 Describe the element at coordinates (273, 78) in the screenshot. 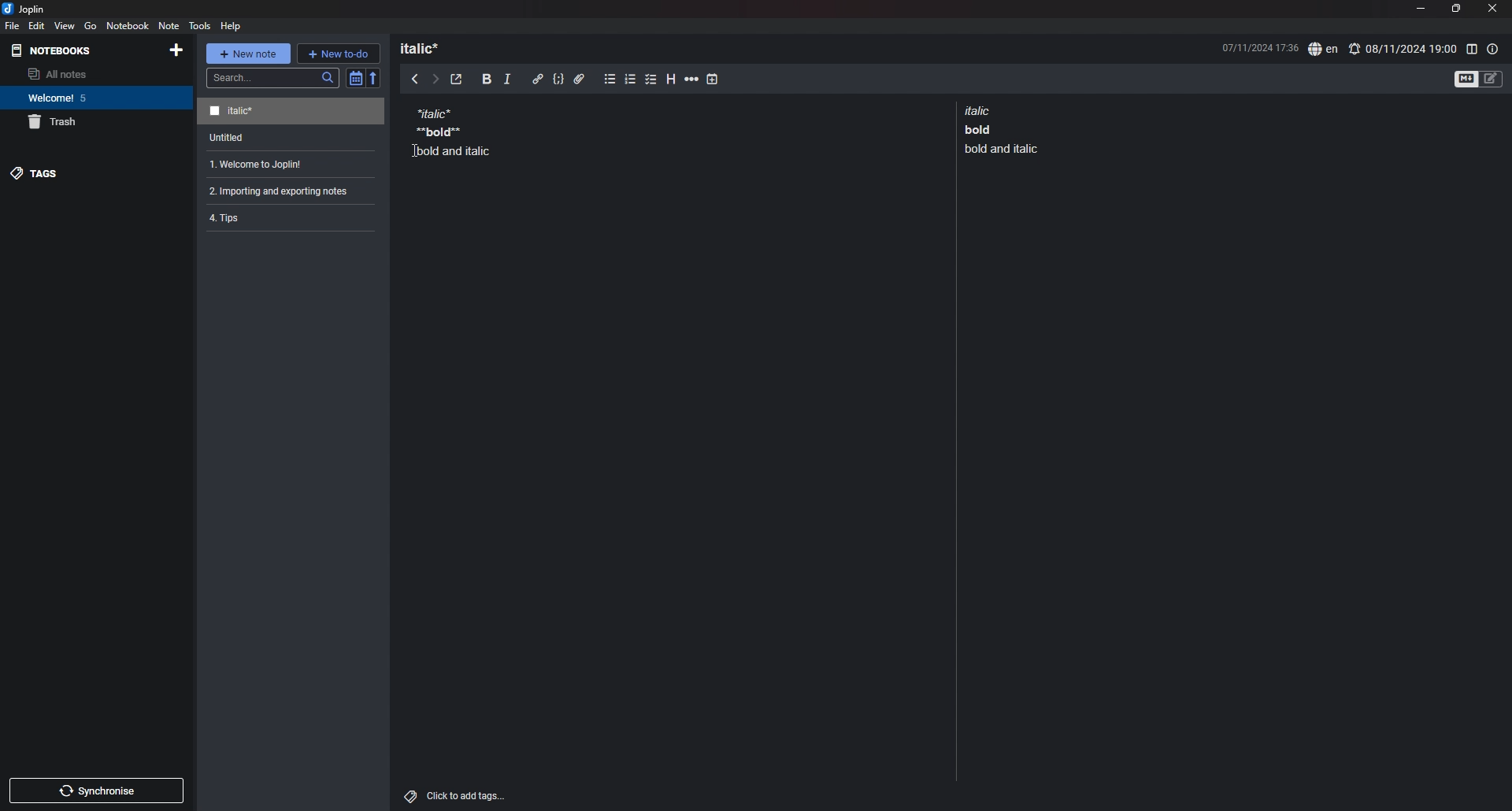

I see `search bar` at that location.